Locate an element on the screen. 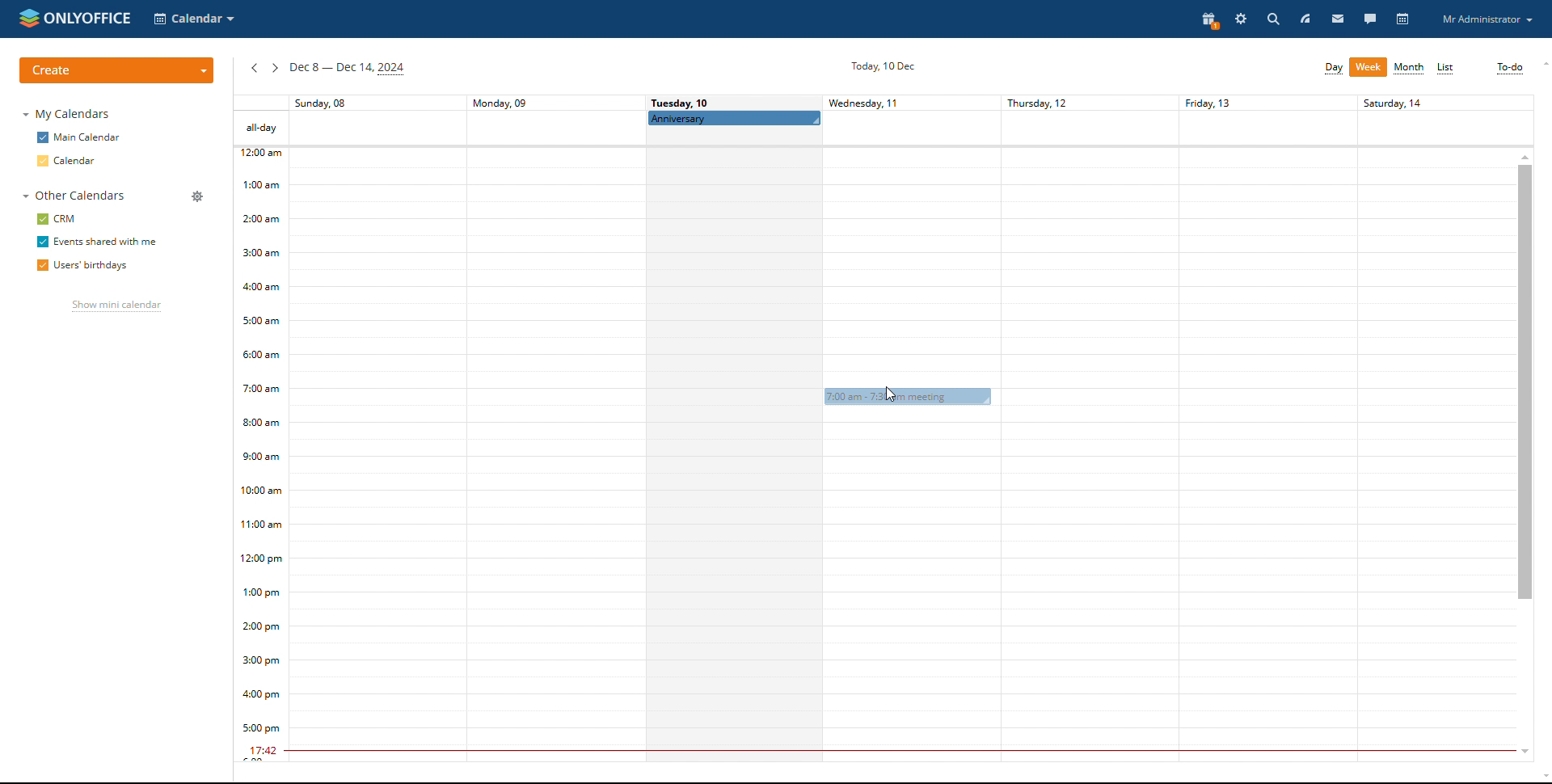 Image resolution: width=1552 pixels, height=784 pixels. timeline is located at coordinates (260, 455).